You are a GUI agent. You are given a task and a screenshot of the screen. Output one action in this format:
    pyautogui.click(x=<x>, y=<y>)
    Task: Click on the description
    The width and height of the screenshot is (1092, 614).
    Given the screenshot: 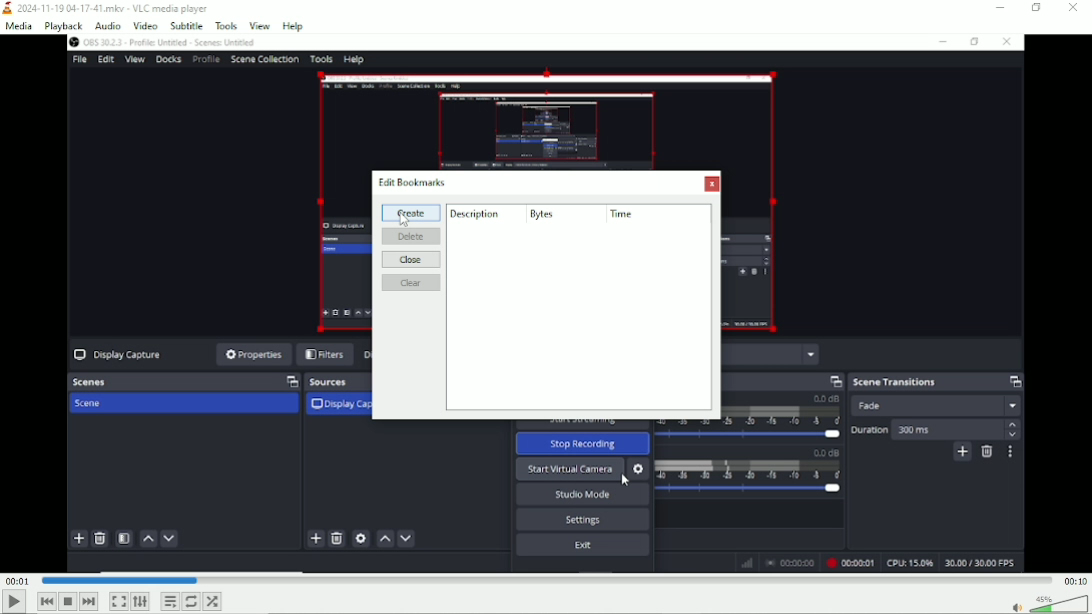 What is the action you would take?
    pyautogui.click(x=474, y=212)
    